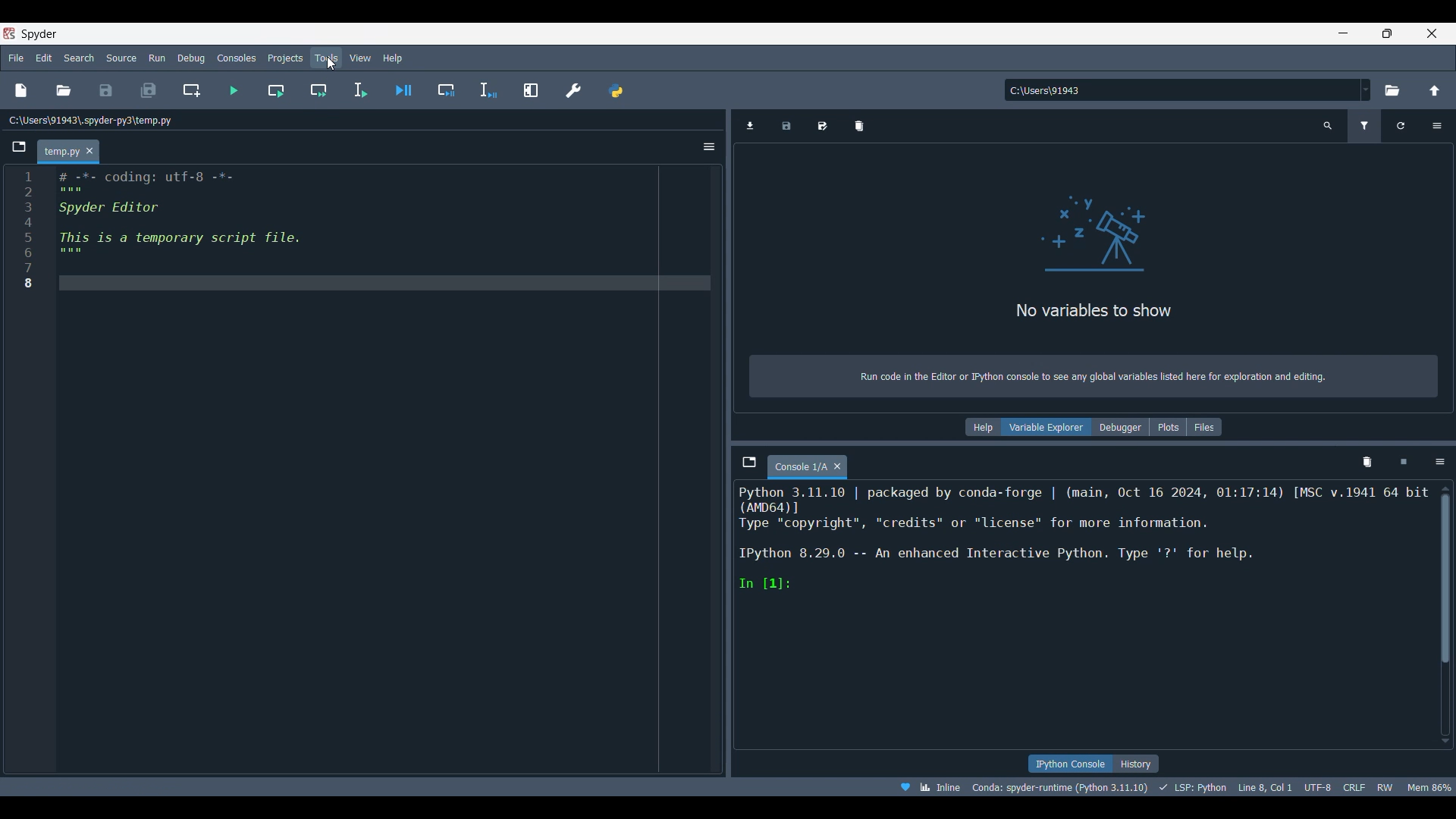 This screenshot has height=819, width=1456. Describe the element at coordinates (237, 57) in the screenshot. I see `Consoles menu` at that location.